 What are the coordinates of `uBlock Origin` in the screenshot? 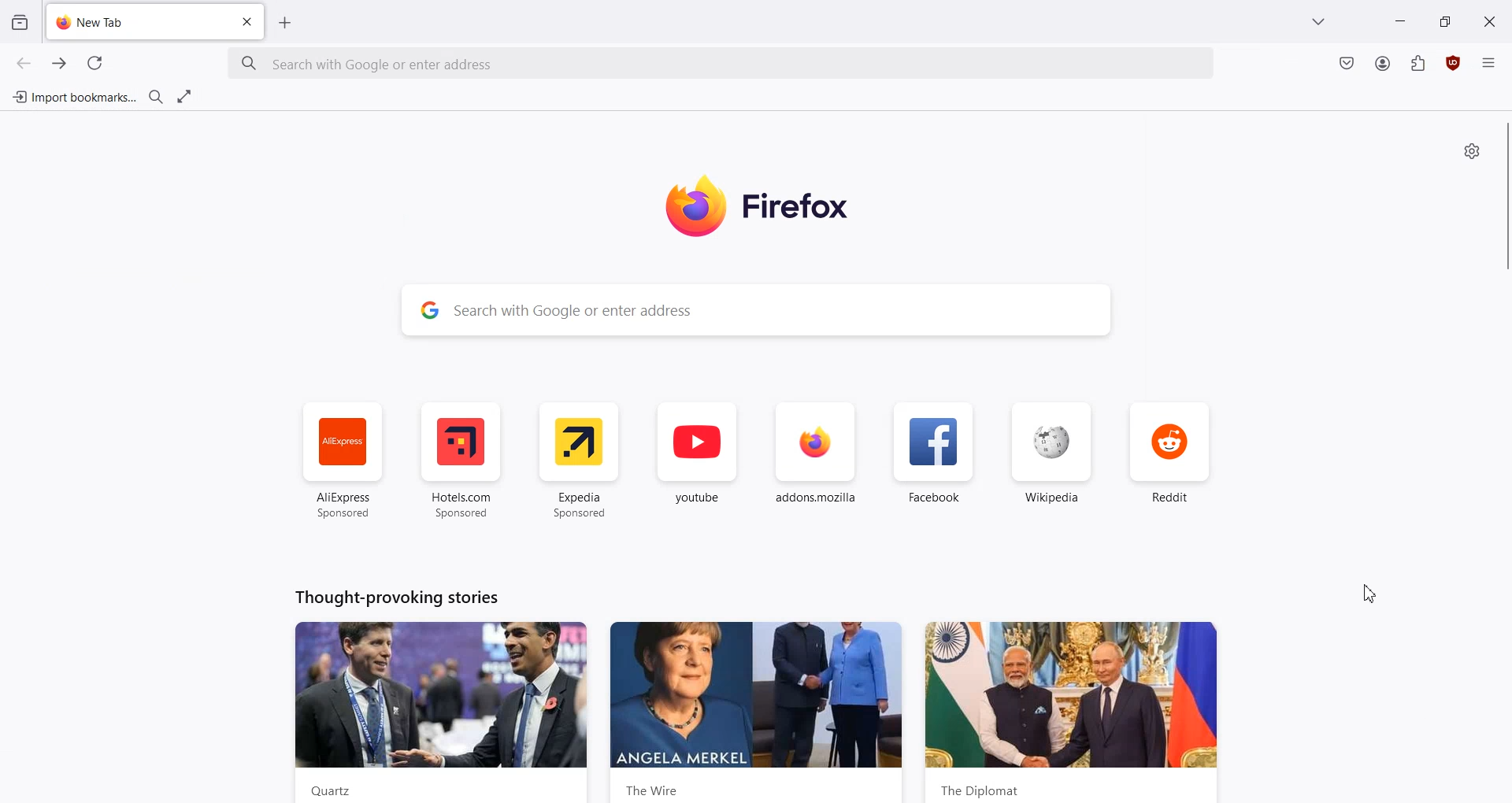 It's located at (1455, 63).